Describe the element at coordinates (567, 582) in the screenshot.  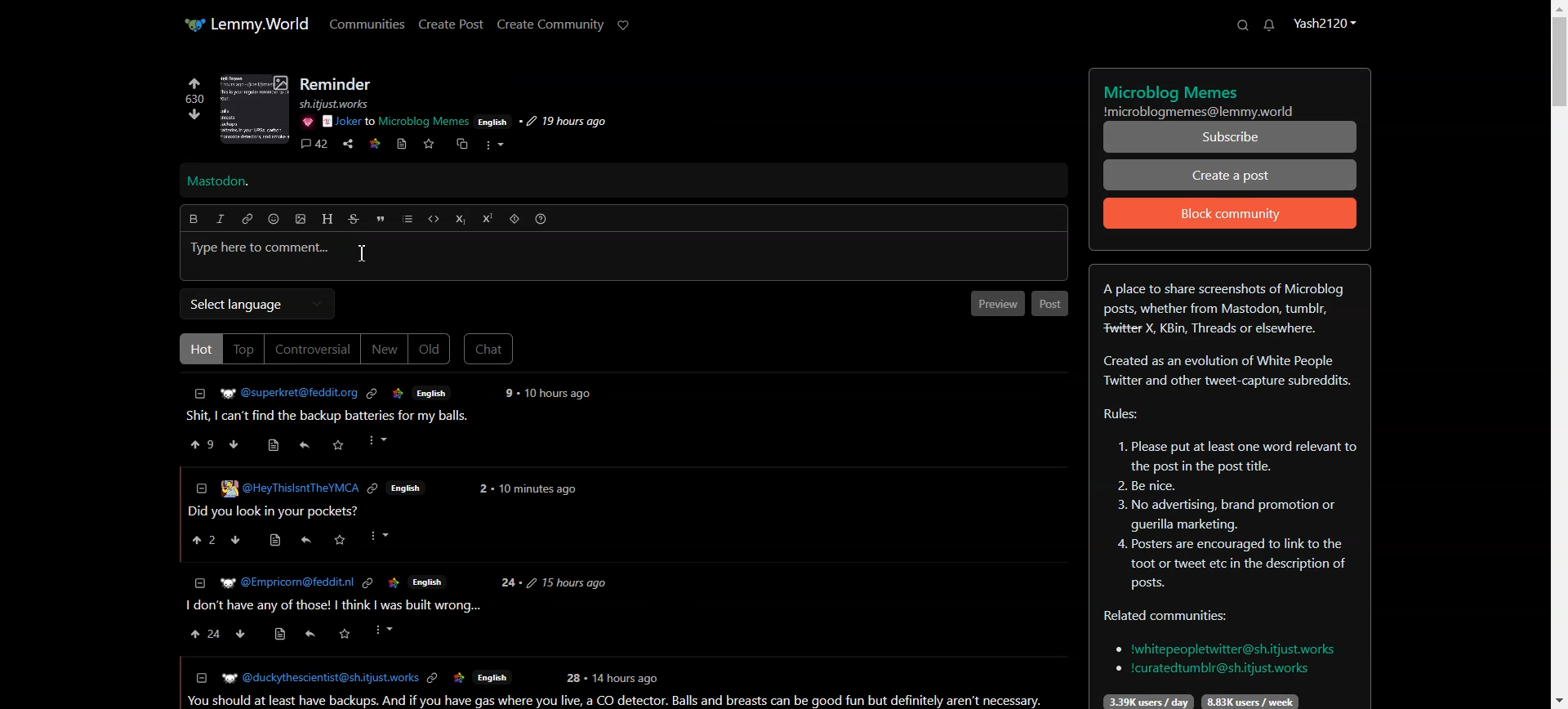
I see `` at that location.